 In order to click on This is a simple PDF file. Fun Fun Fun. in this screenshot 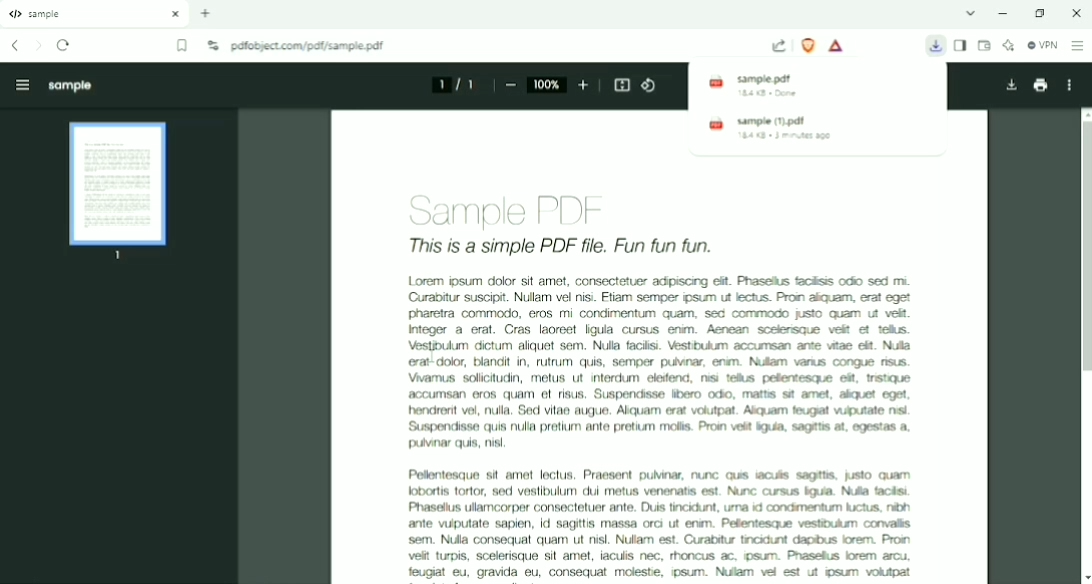, I will do `click(589, 246)`.